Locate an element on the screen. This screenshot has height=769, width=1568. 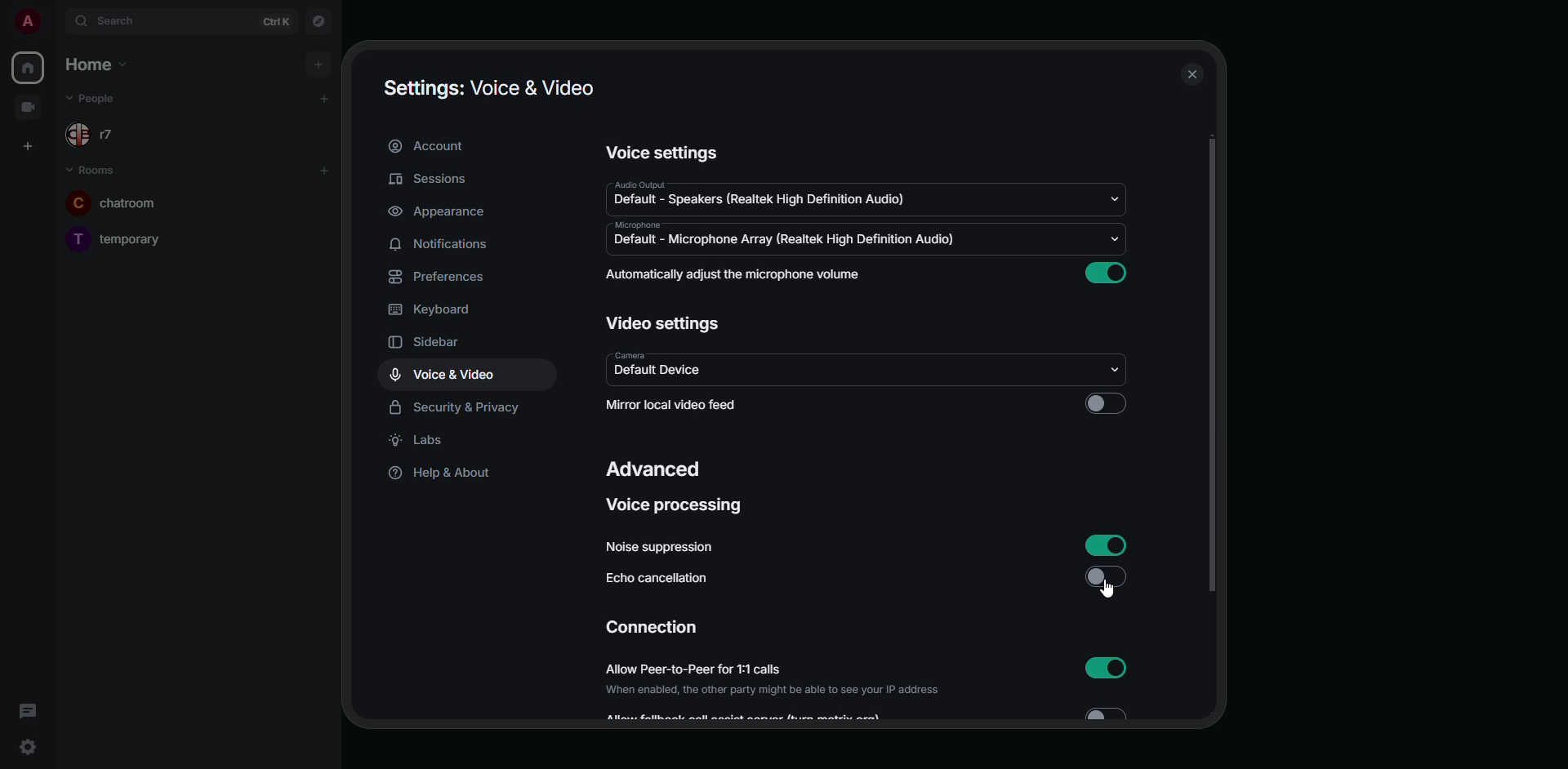
rooms is located at coordinates (95, 170).